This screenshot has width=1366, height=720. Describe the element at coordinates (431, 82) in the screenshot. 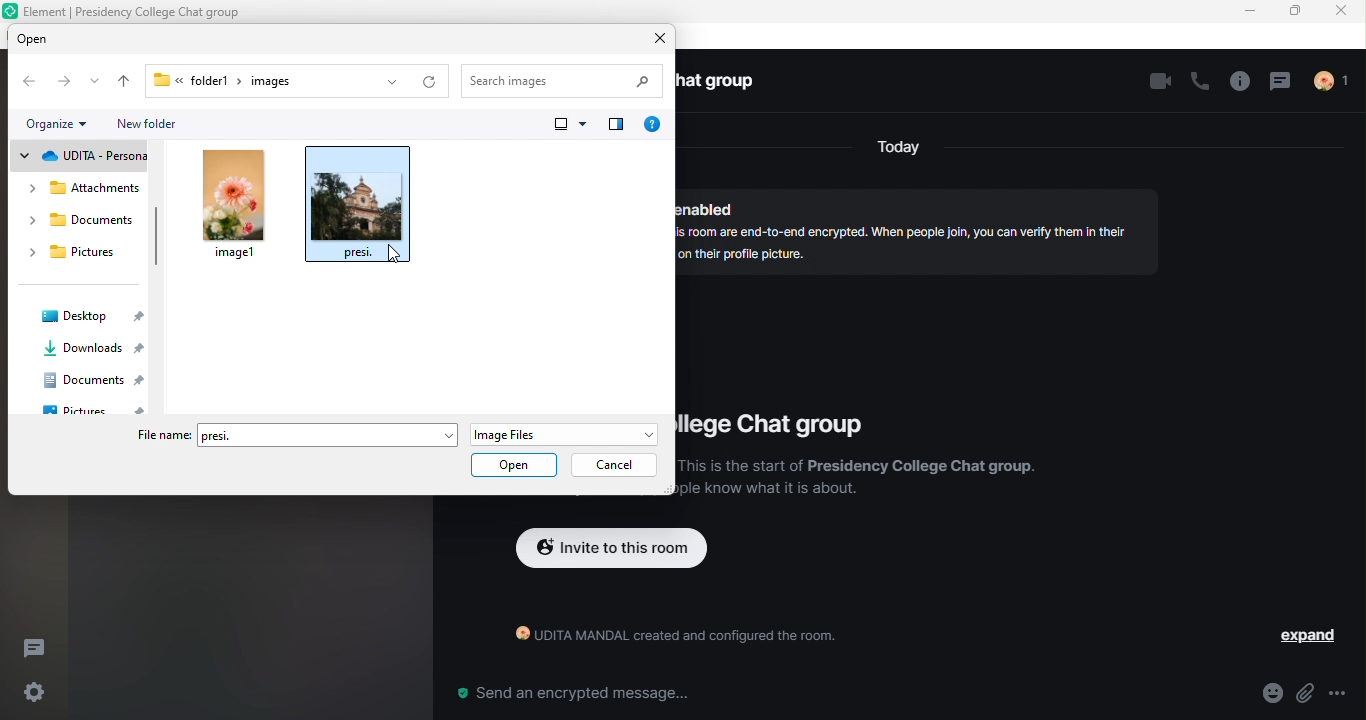

I see `refresh` at that location.